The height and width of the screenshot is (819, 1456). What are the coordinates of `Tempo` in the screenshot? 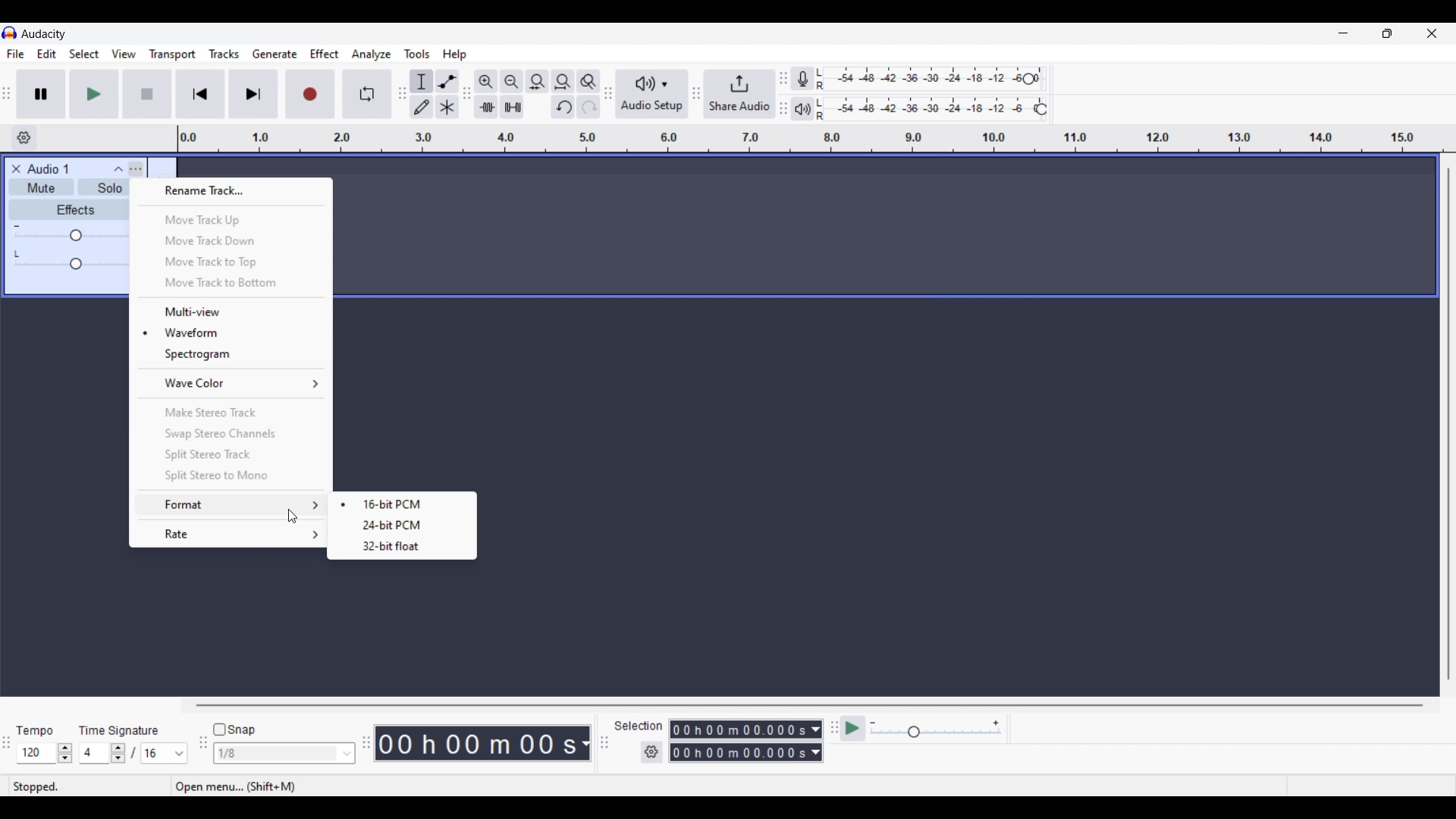 It's located at (34, 730).